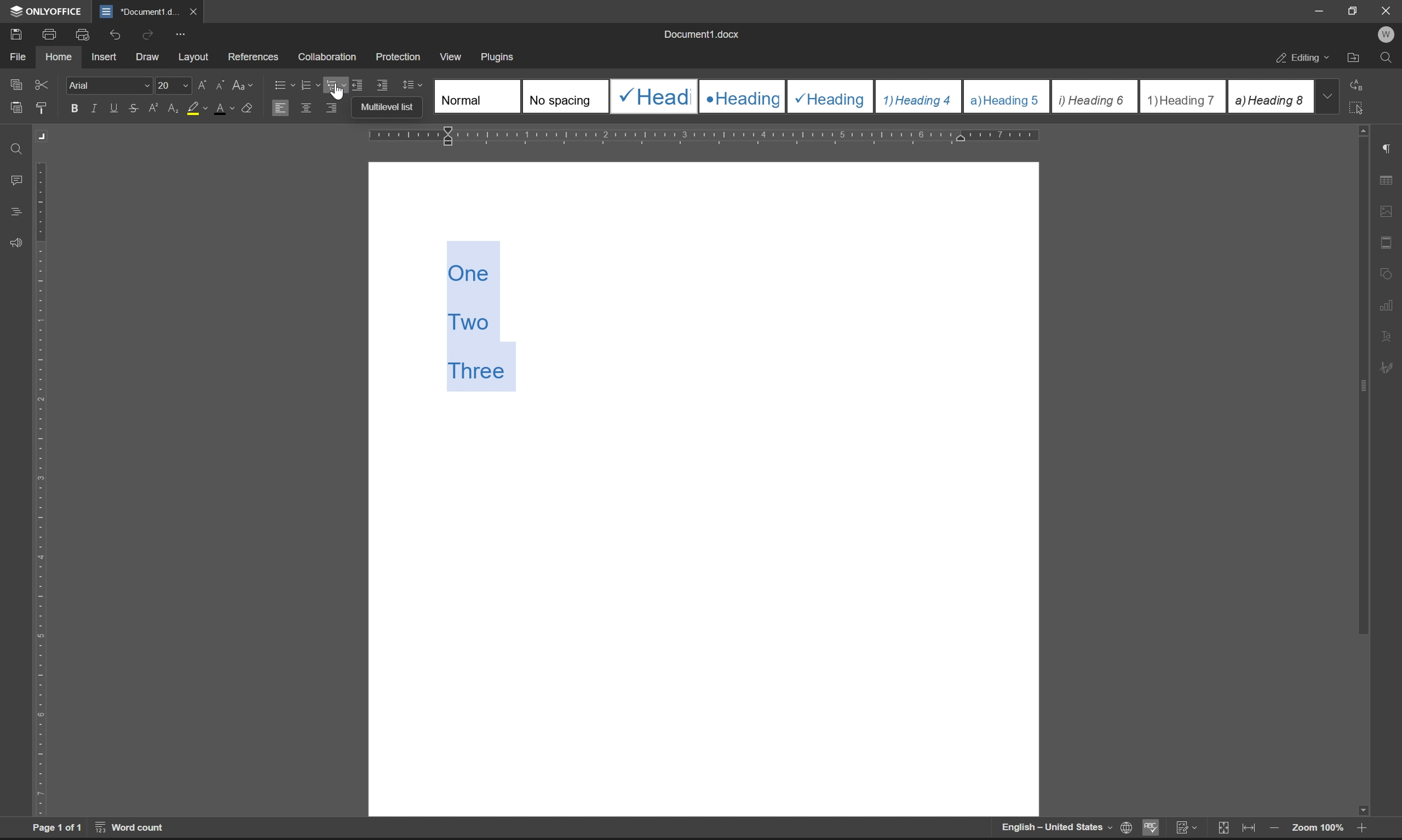  What do you see at coordinates (53, 33) in the screenshot?
I see `print` at bounding box center [53, 33].